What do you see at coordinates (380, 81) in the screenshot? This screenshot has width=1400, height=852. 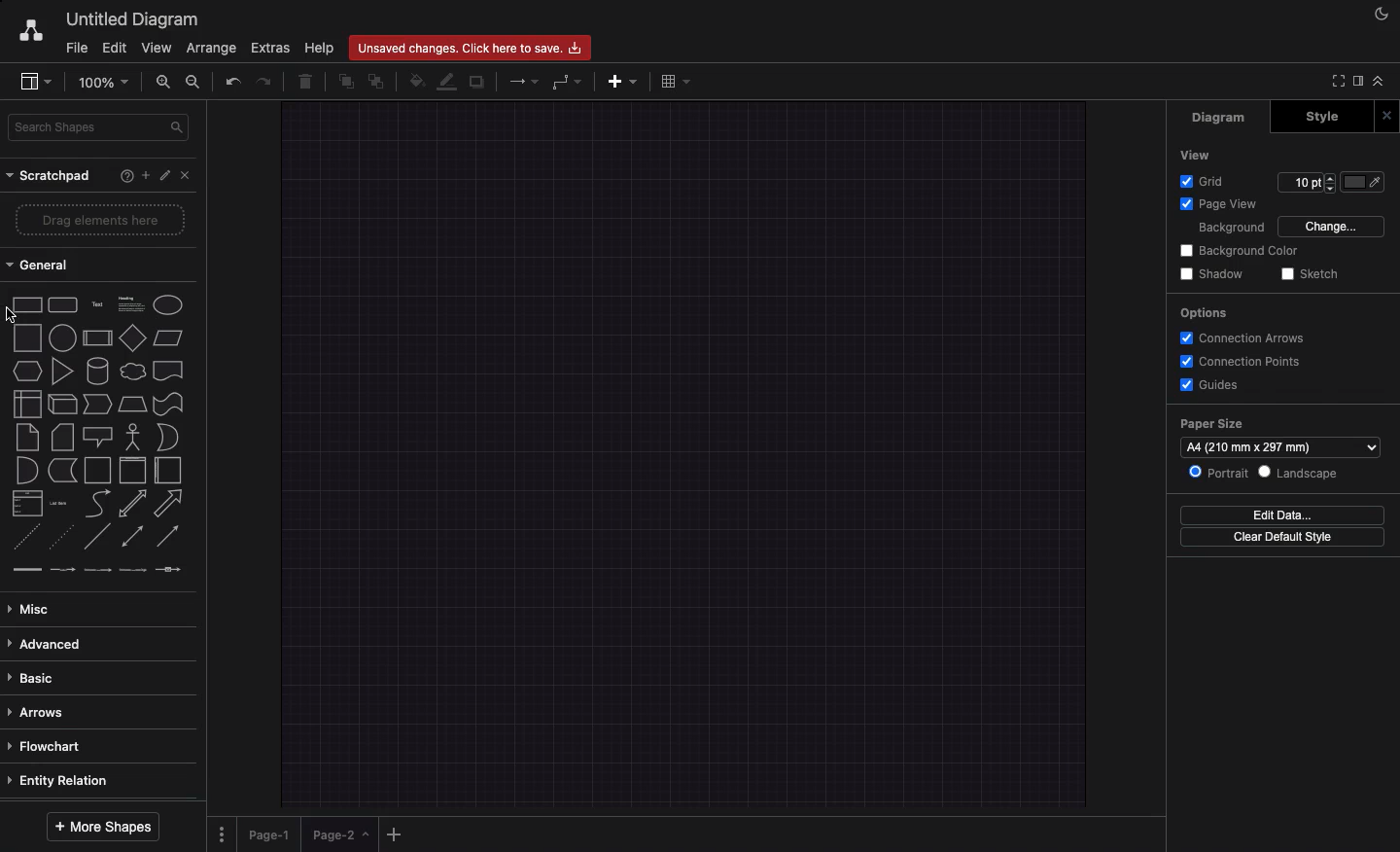 I see `To back` at bounding box center [380, 81].